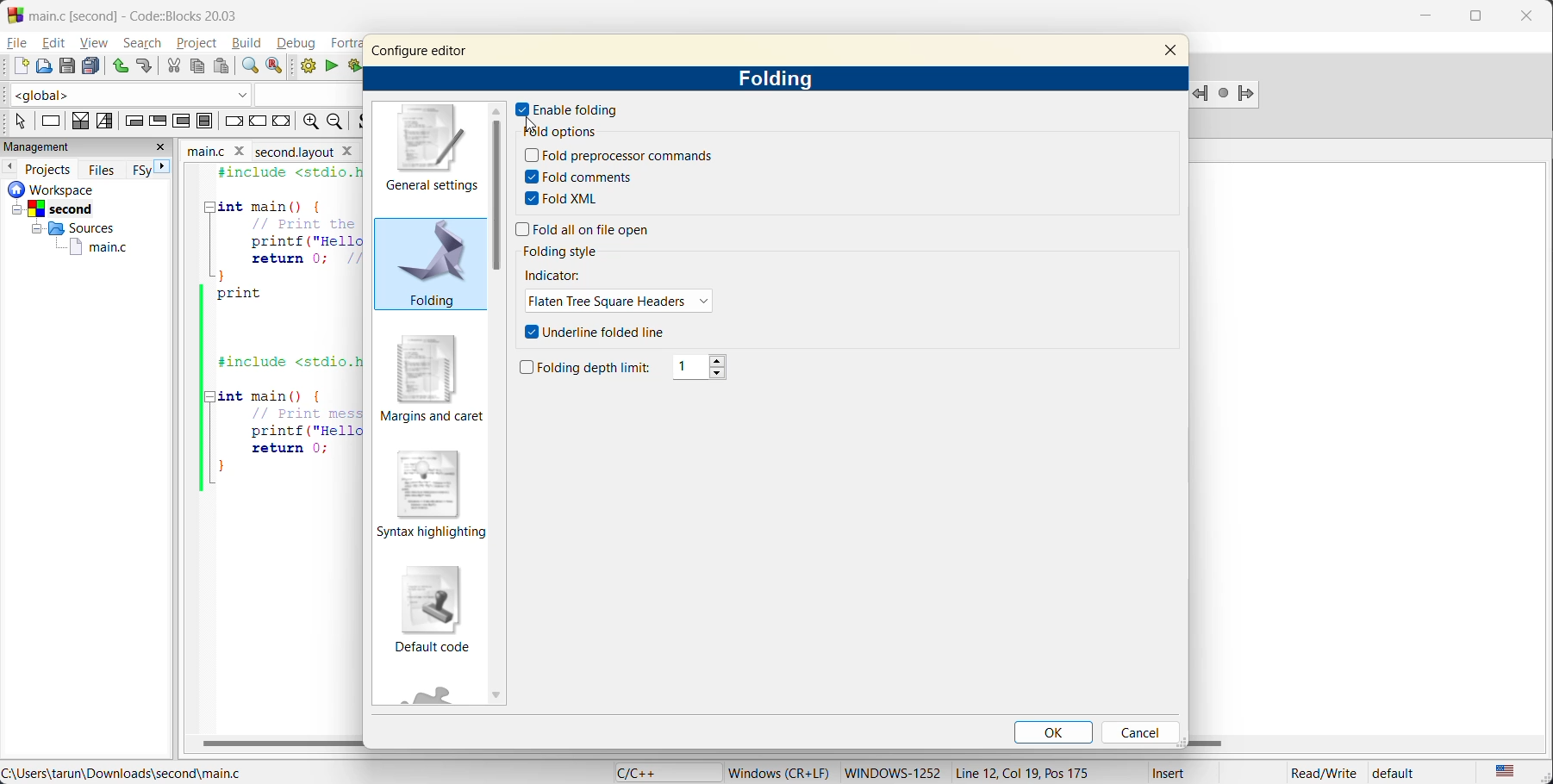  Describe the element at coordinates (103, 121) in the screenshot. I see `selection` at that location.